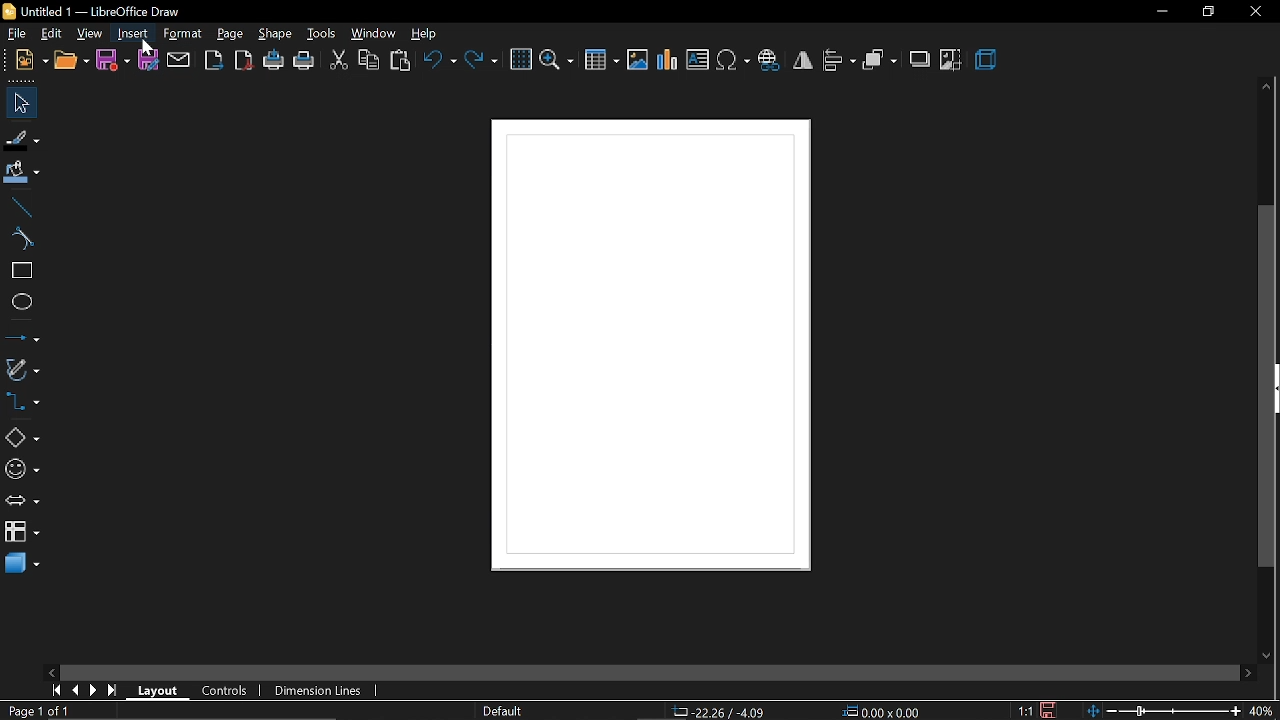 The image size is (1280, 720). I want to click on move right, so click(1248, 674).